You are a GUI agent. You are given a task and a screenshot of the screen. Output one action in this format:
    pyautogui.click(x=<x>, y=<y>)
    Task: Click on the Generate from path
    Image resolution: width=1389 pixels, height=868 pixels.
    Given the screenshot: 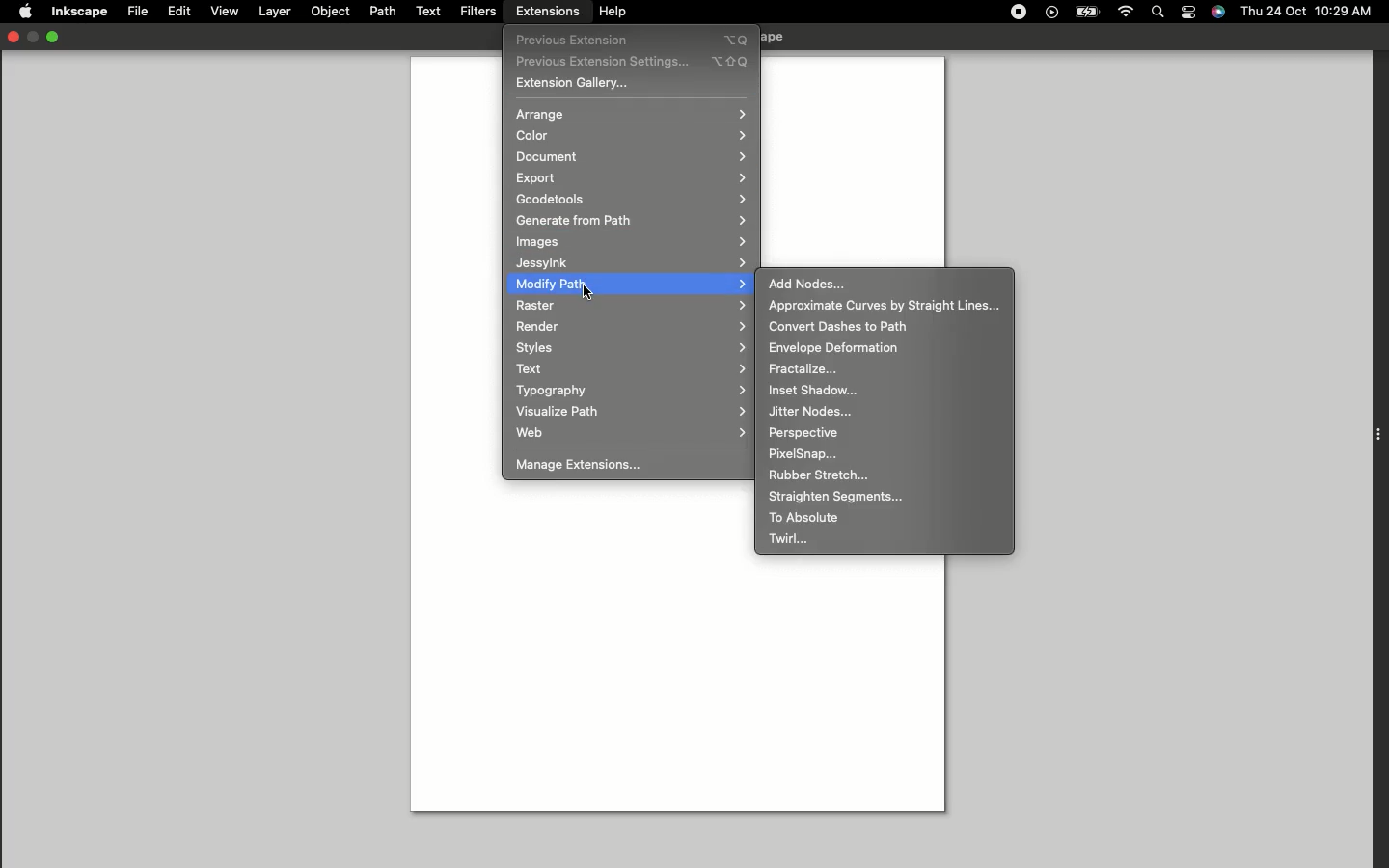 What is the action you would take?
    pyautogui.click(x=633, y=220)
    